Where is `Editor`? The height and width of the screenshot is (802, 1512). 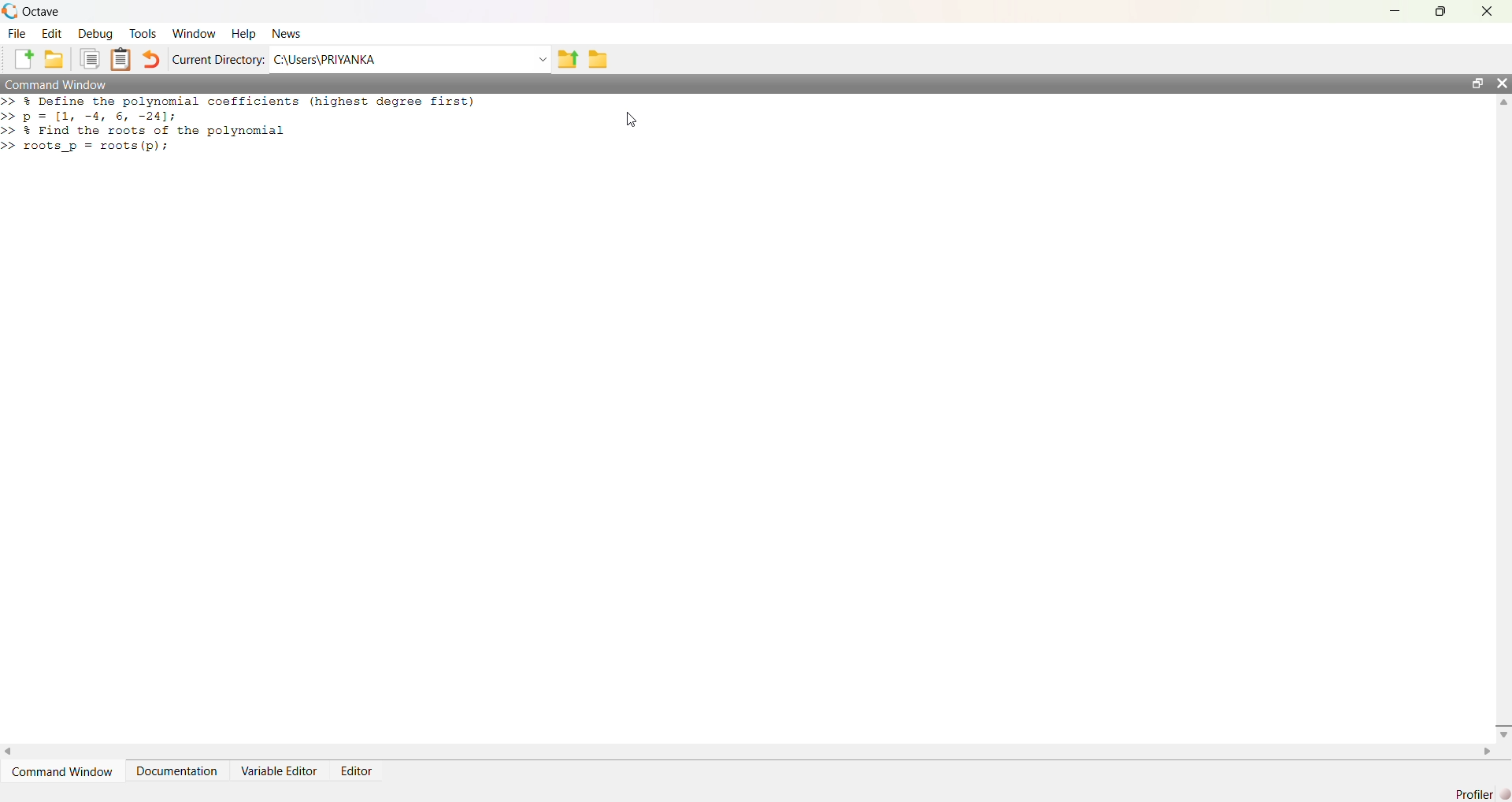 Editor is located at coordinates (359, 772).